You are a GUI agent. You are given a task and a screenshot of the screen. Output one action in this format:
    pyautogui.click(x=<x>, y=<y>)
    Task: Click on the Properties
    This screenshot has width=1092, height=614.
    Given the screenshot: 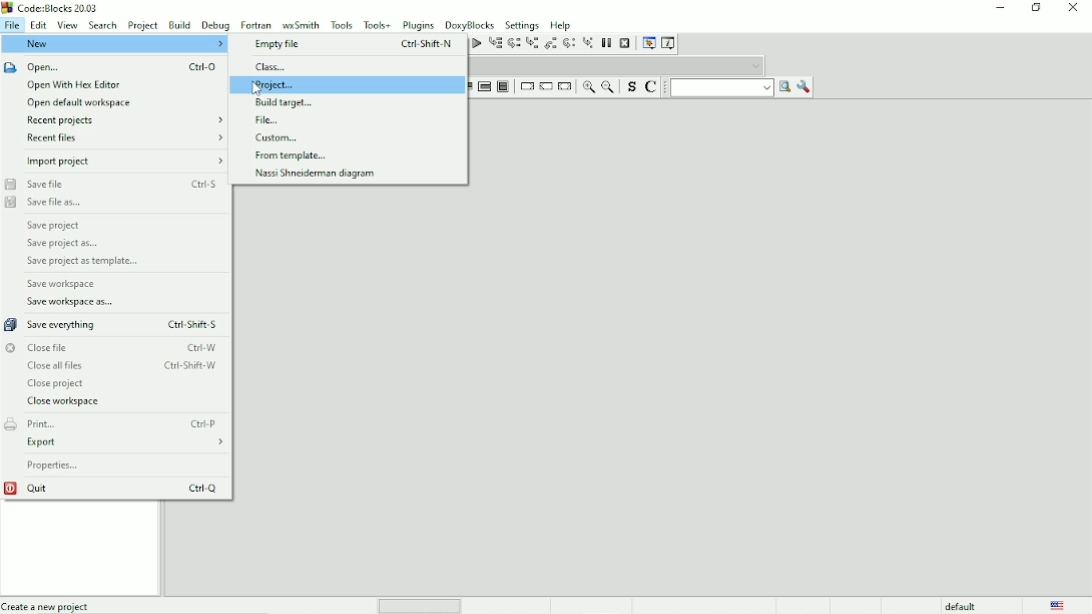 What is the action you would take?
    pyautogui.click(x=55, y=466)
    